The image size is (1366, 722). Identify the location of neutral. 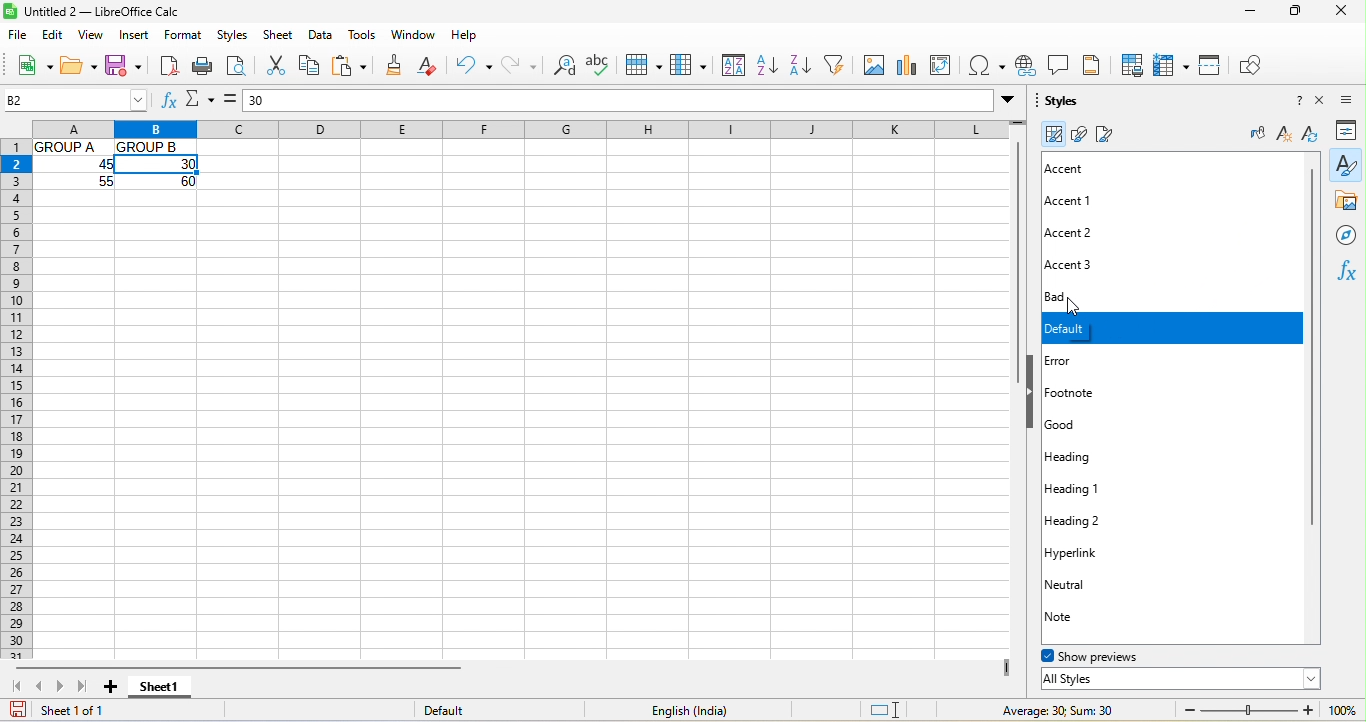
(1082, 584).